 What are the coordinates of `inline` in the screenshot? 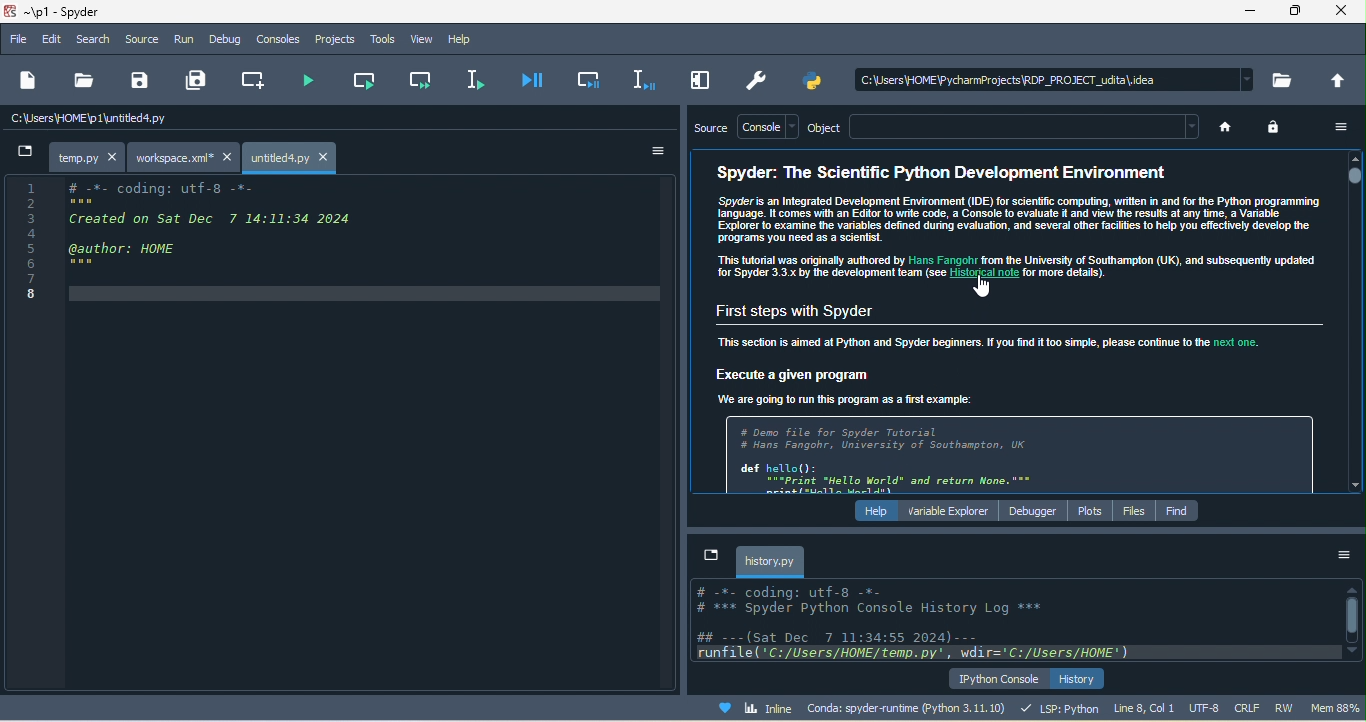 It's located at (751, 711).